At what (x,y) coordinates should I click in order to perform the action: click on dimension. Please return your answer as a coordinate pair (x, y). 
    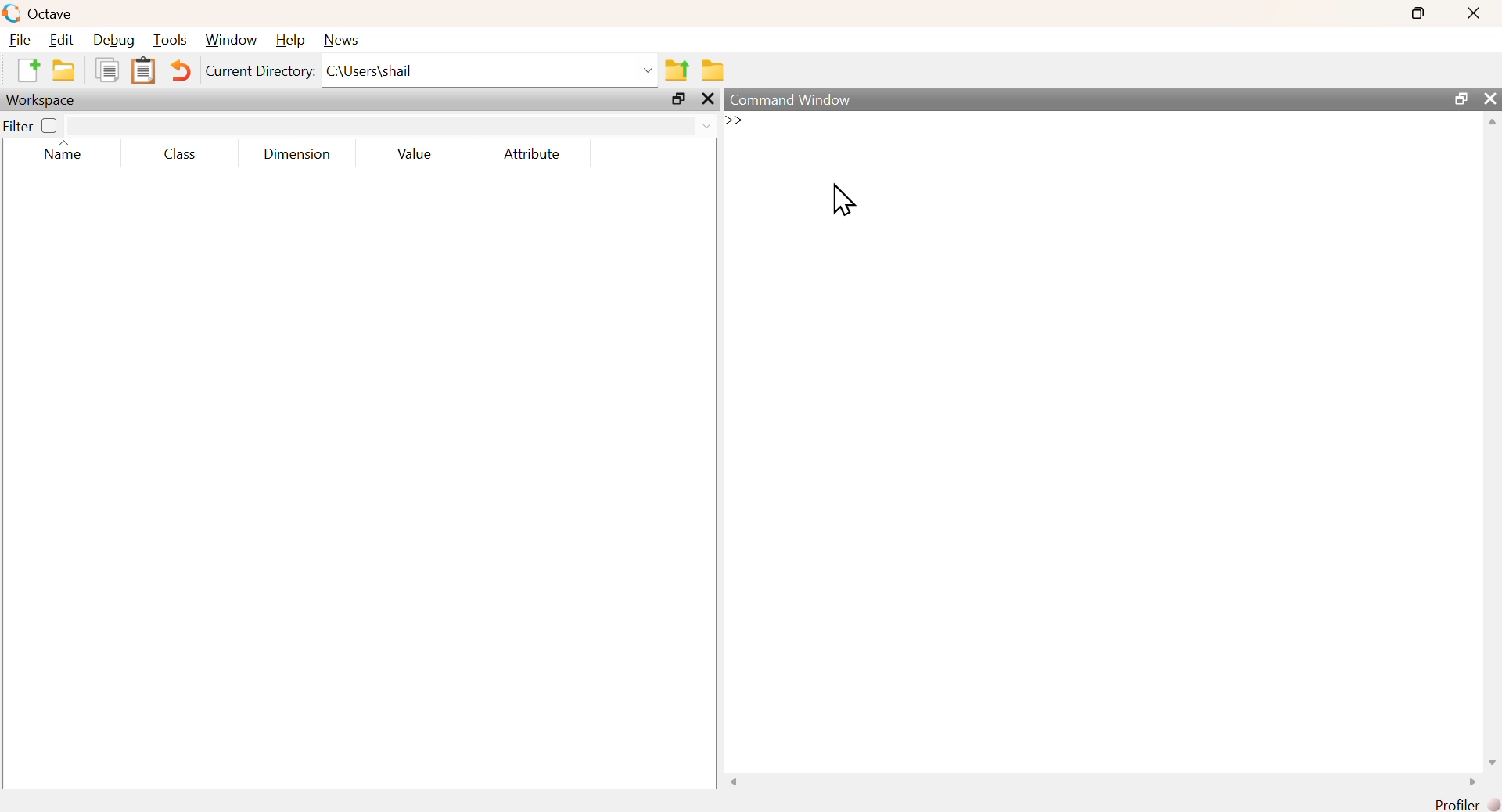
    Looking at the image, I should click on (296, 156).